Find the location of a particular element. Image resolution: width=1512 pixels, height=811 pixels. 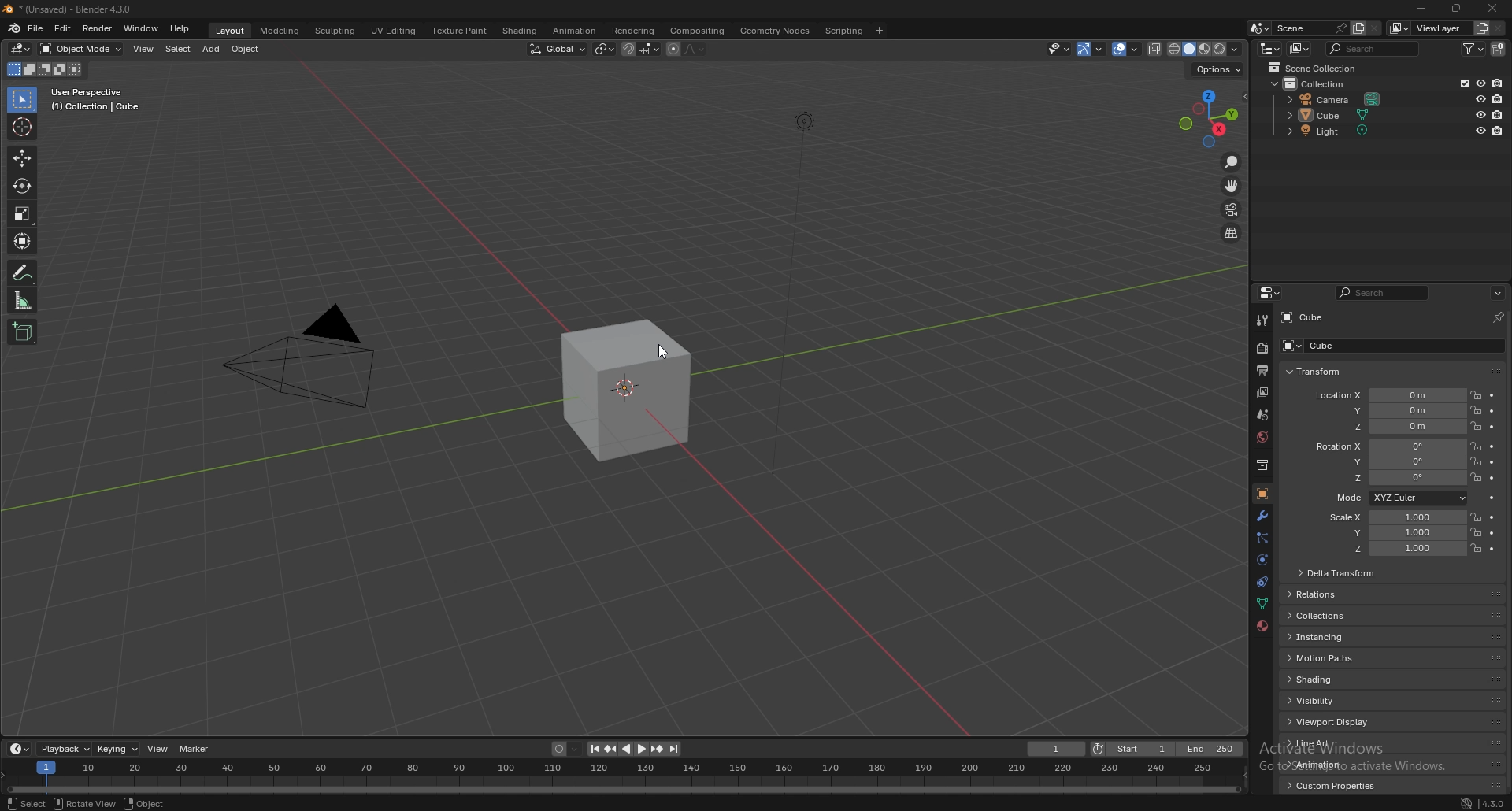

jump to keyframe is located at coordinates (657, 750).